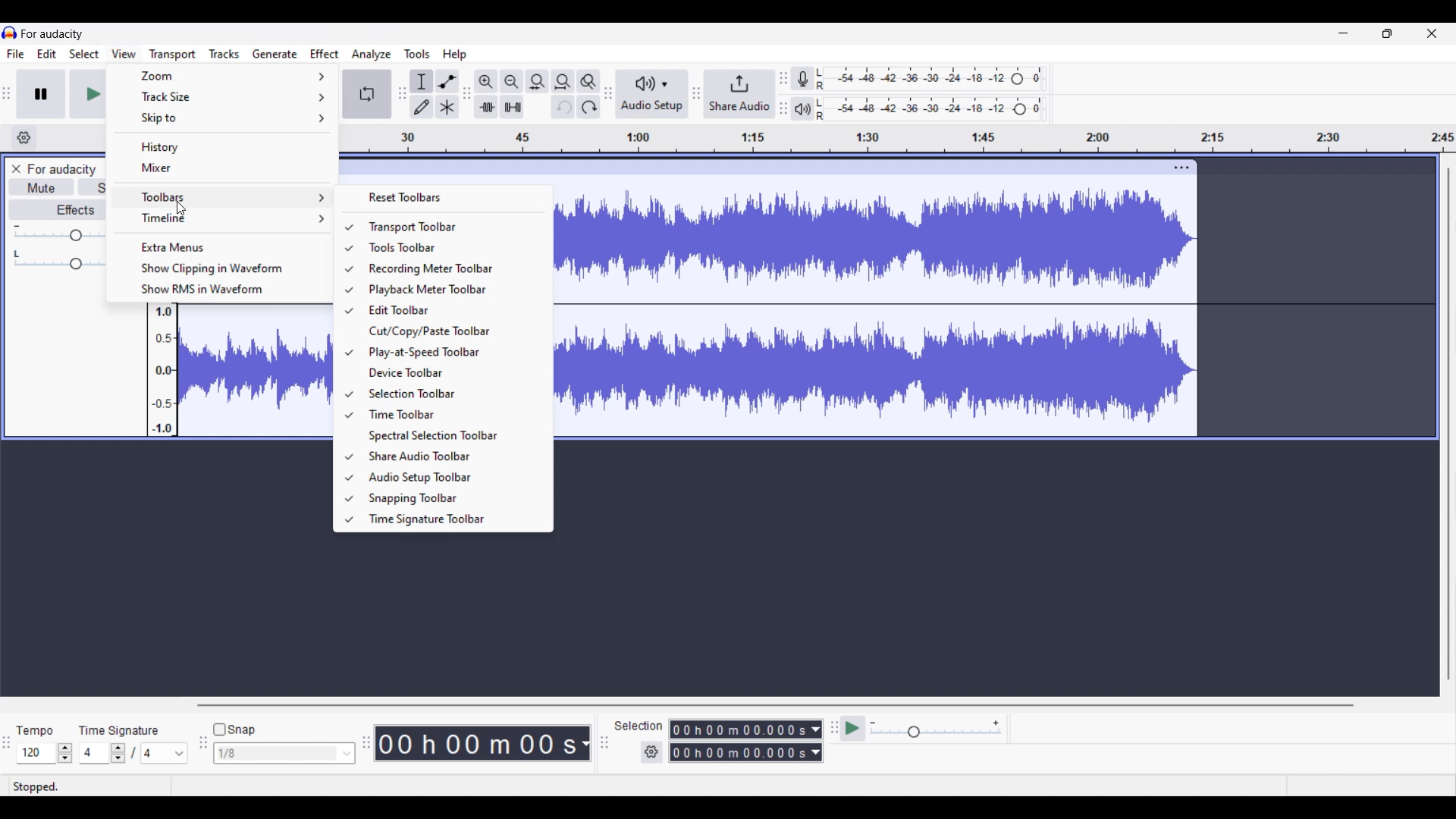  What do you see at coordinates (444, 197) in the screenshot?
I see `Reset toolbars` at bounding box center [444, 197].